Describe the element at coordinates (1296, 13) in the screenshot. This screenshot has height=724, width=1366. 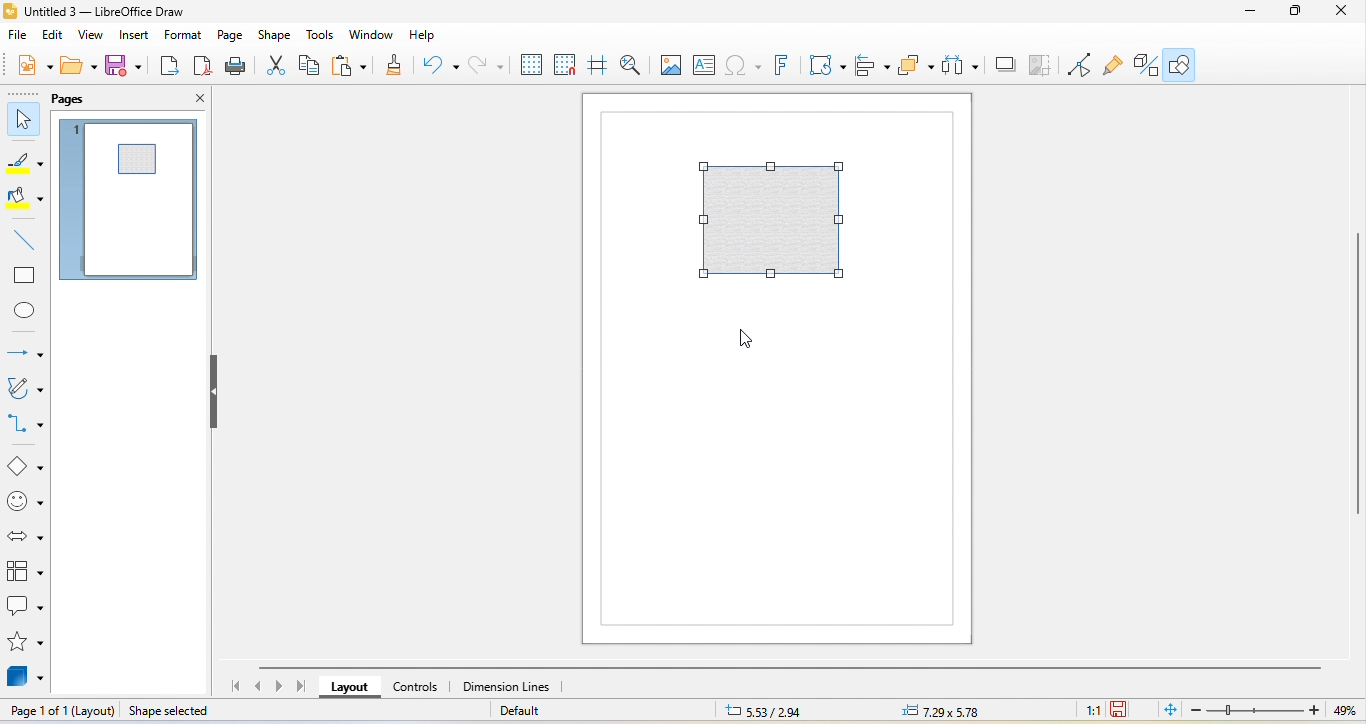
I see `maximize` at that location.